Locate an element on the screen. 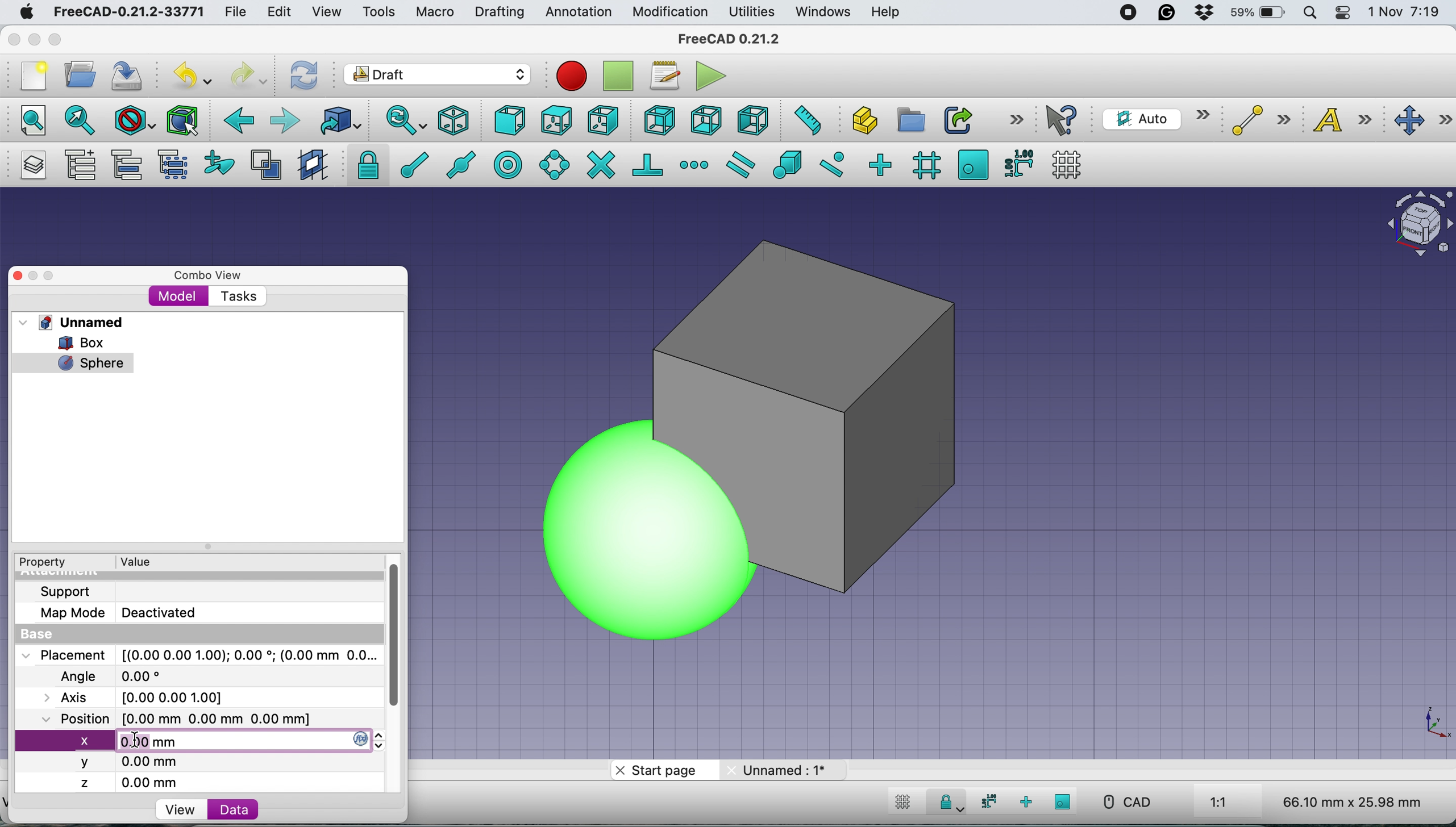 This screenshot has width=1456, height=827. system logo is located at coordinates (28, 12).